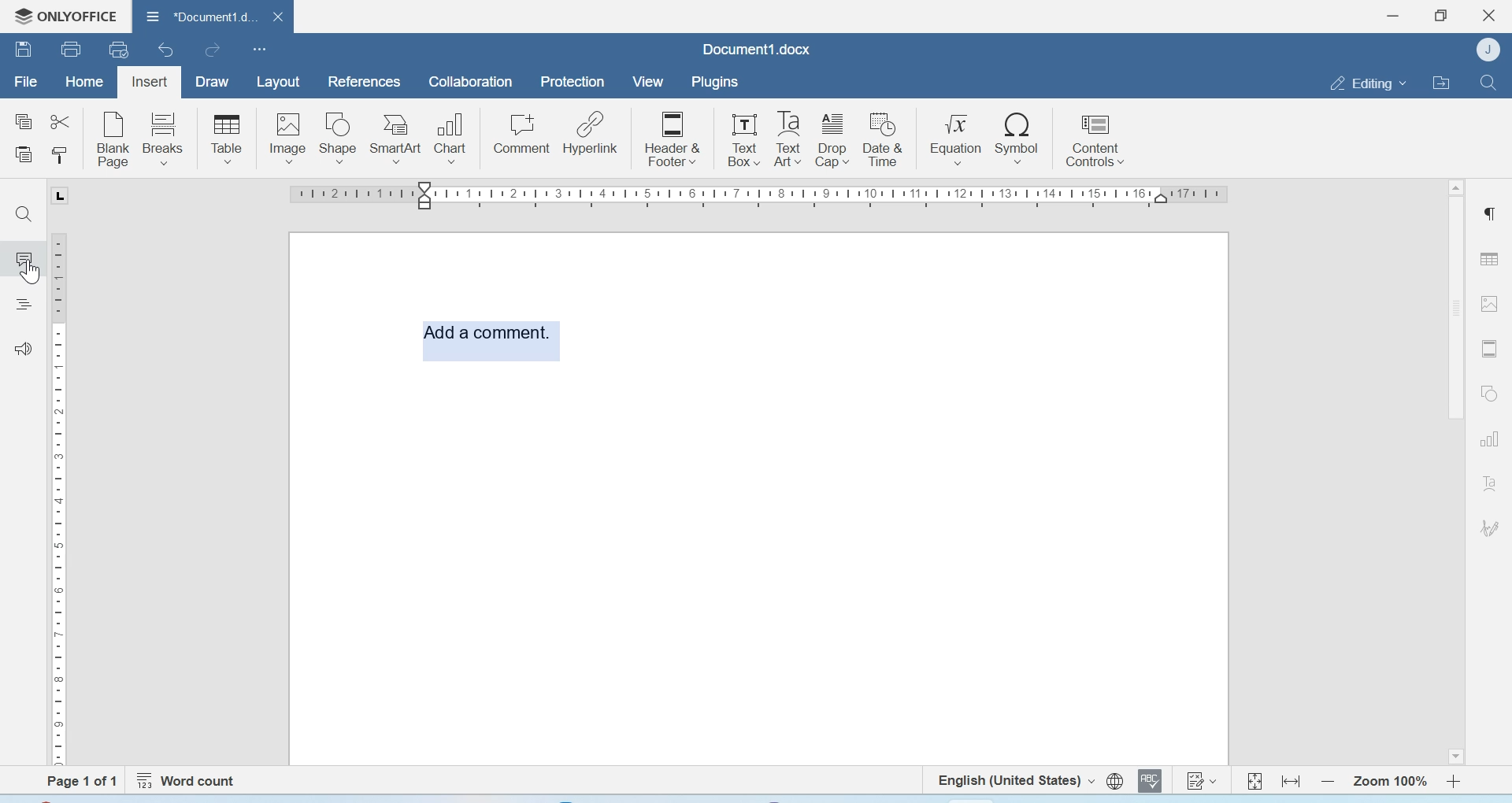 The image size is (1512, 803). What do you see at coordinates (740, 139) in the screenshot?
I see `Text Box` at bounding box center [740, 139].